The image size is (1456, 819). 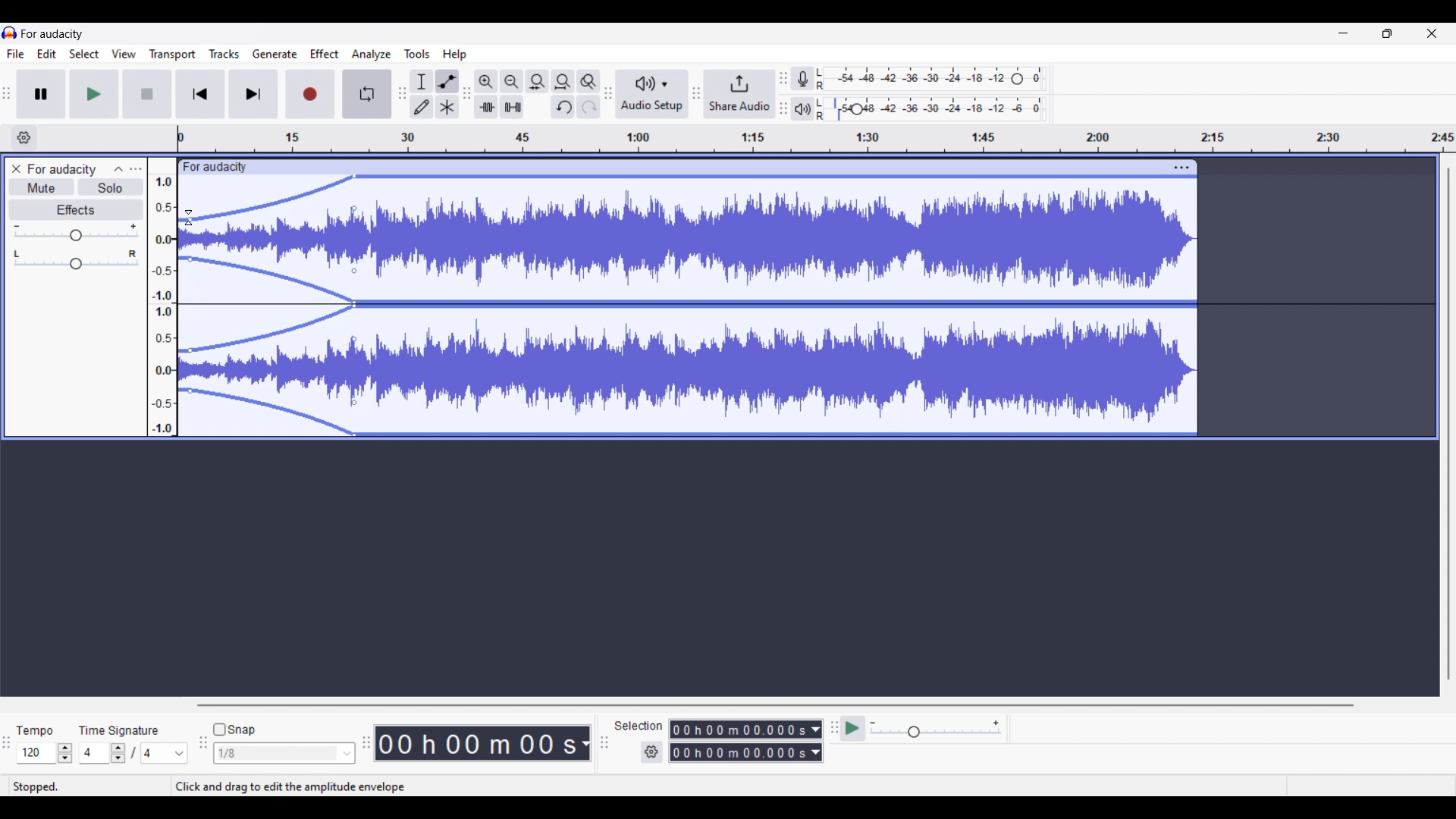 I want to click on stopped, so click(x=36, y=787).